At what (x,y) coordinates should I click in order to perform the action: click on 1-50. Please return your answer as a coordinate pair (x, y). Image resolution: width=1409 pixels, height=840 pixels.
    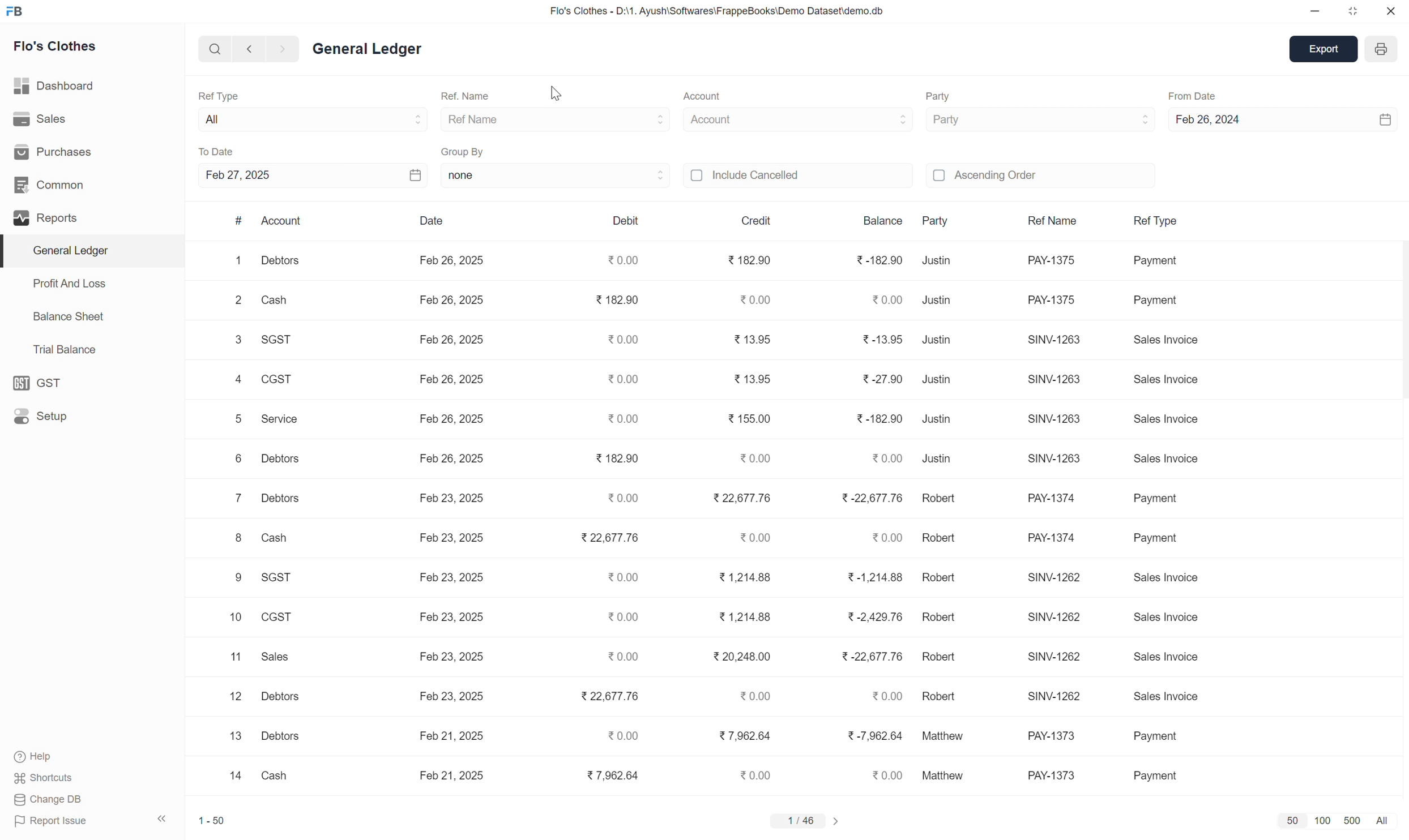
    Looking at the image, I should click on (214, 819).